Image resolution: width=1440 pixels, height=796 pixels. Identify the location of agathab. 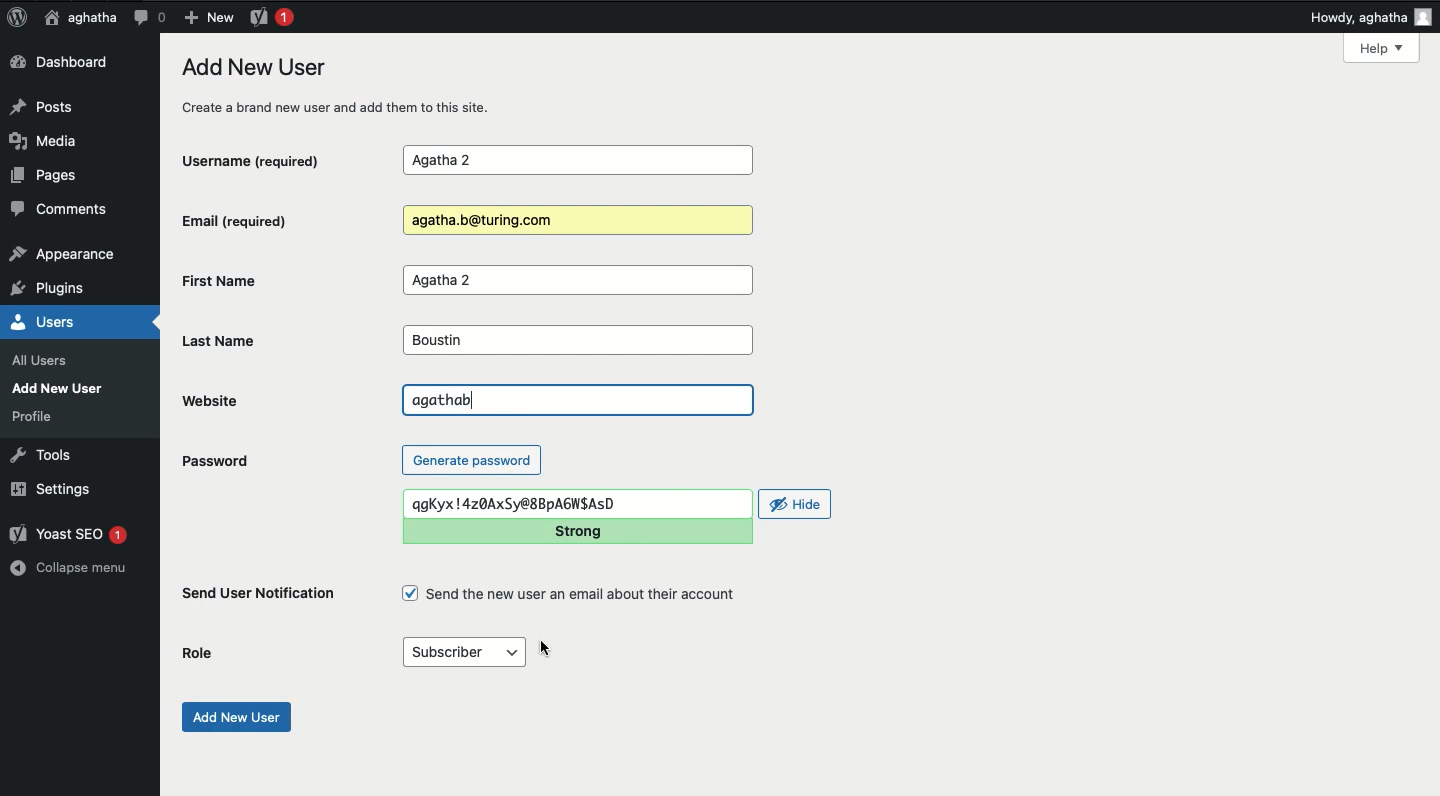
(579, 397).